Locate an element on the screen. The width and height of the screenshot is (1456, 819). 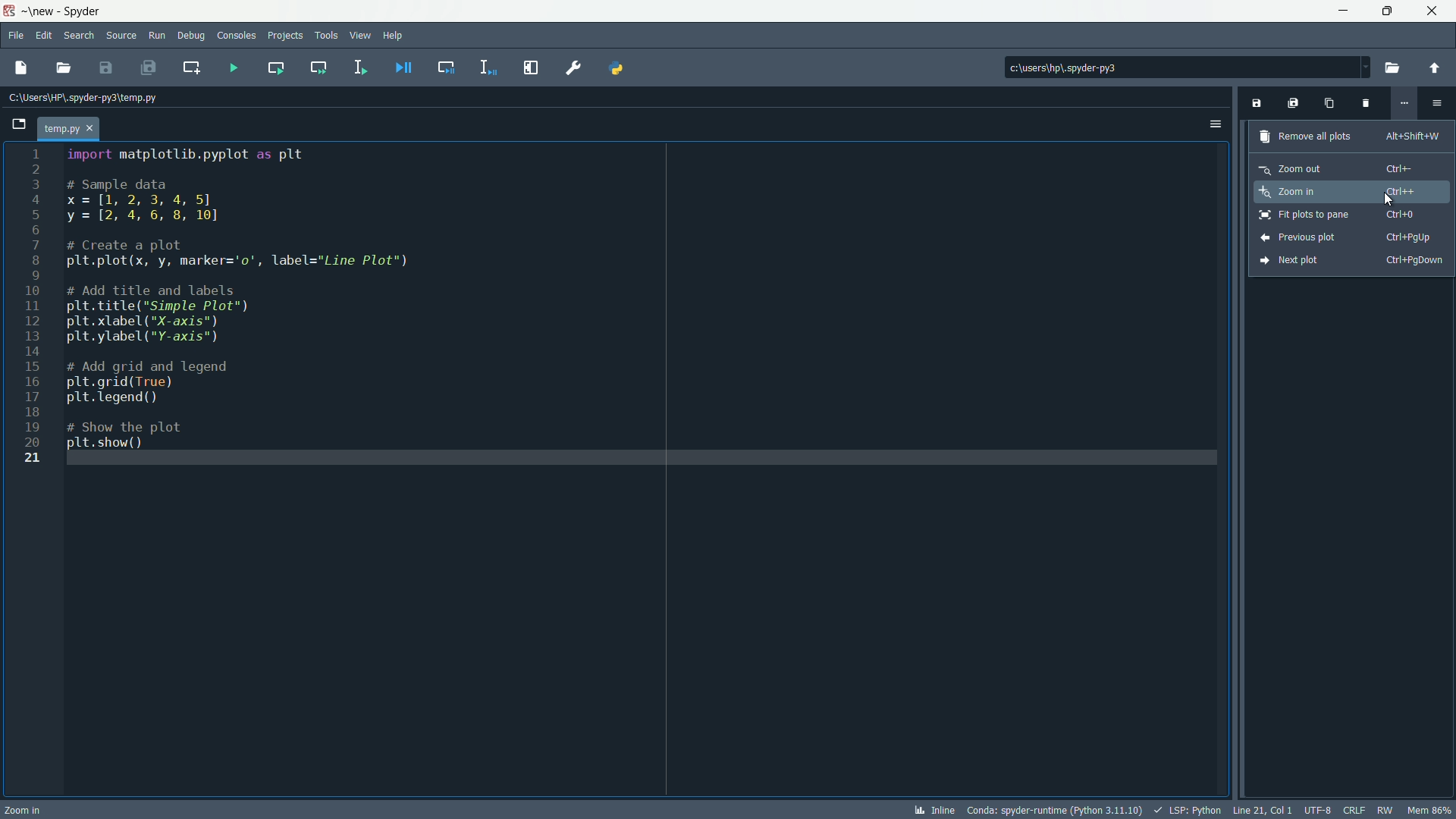
browse a working directory is located at coordinates (1395, 67).